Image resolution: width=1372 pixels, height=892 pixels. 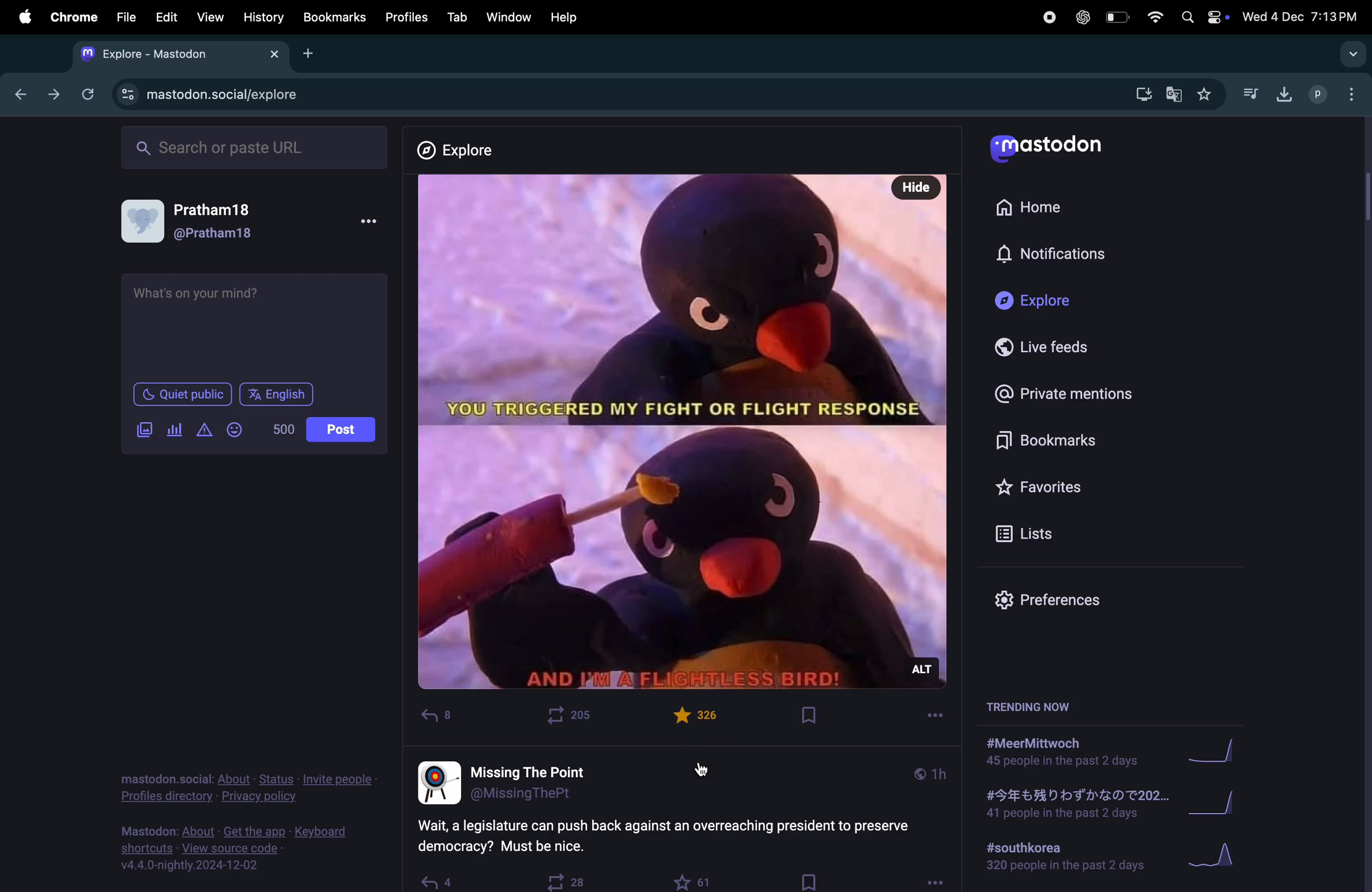 What do you see at coordinates (178, 53) in the screenshot?
I see `mastodon tab` at bounding box center [178, 53].